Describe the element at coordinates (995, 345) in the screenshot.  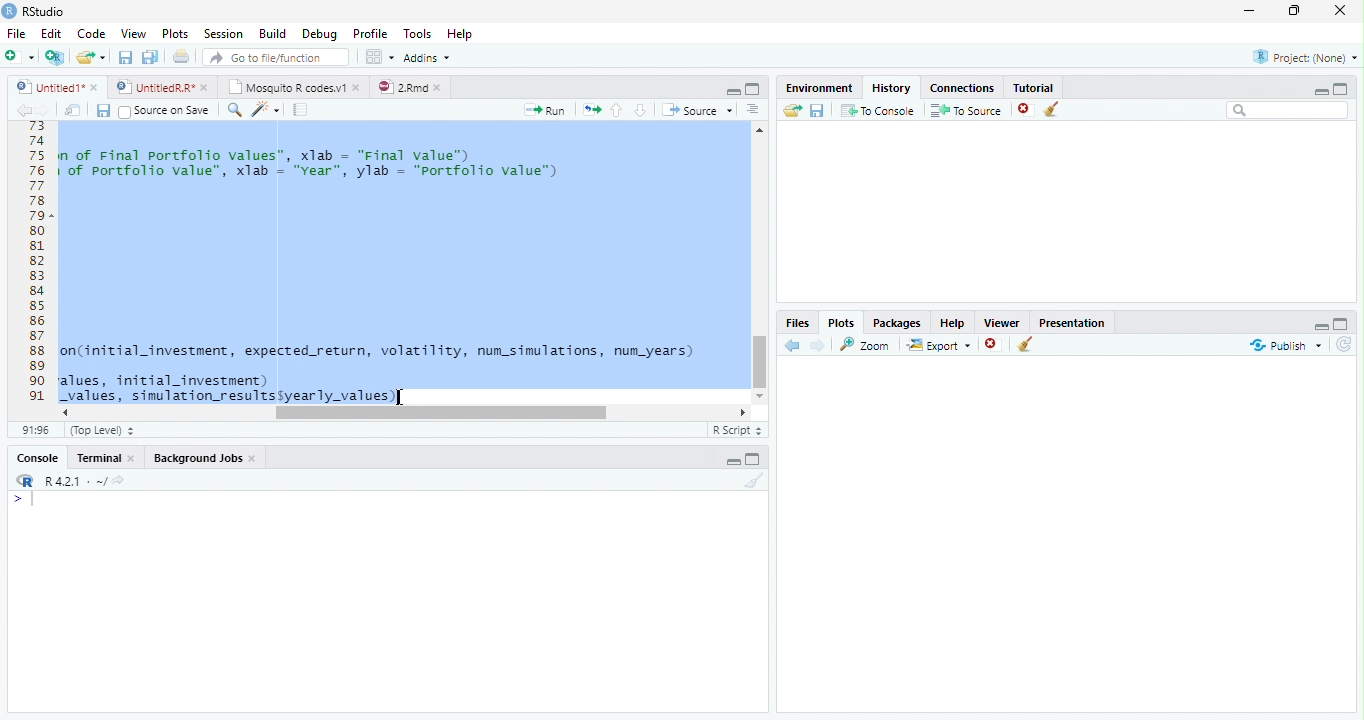
I see `Remove selected` at that location.